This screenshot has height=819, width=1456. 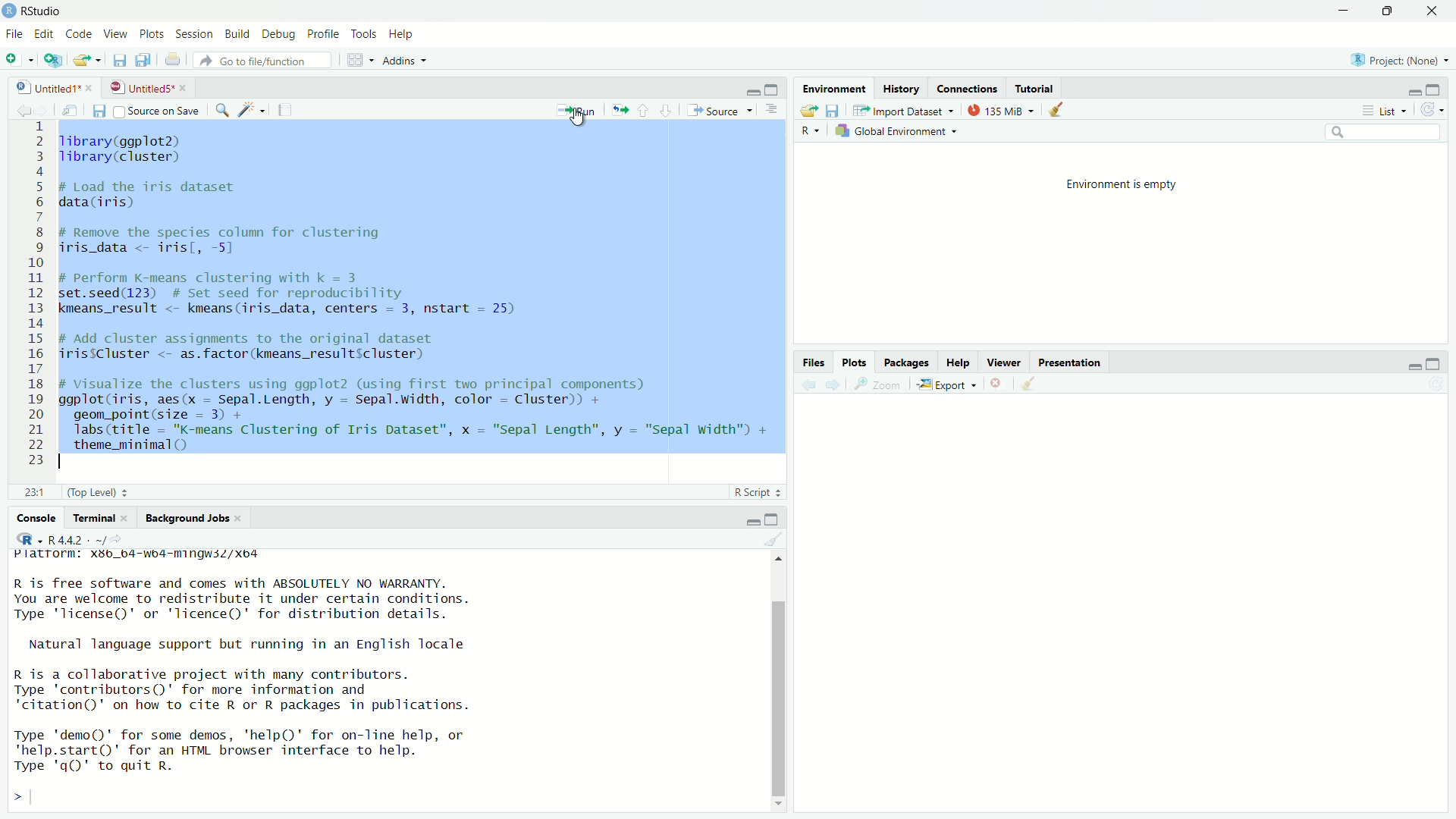 I want to click on find/replace, so click(x=218, y=110).